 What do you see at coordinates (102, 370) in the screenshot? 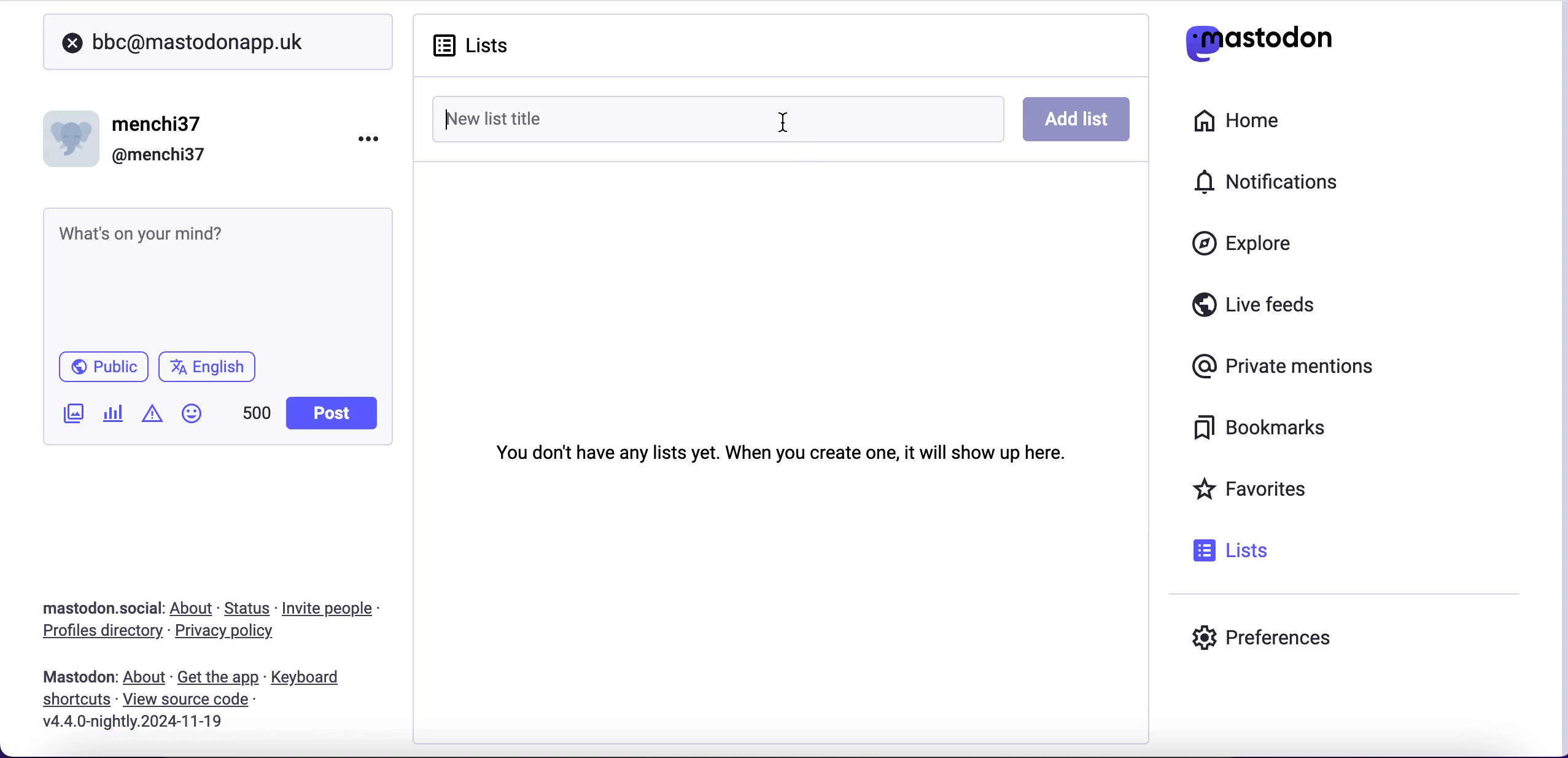
I see `public` at bounding box center [102, 370].